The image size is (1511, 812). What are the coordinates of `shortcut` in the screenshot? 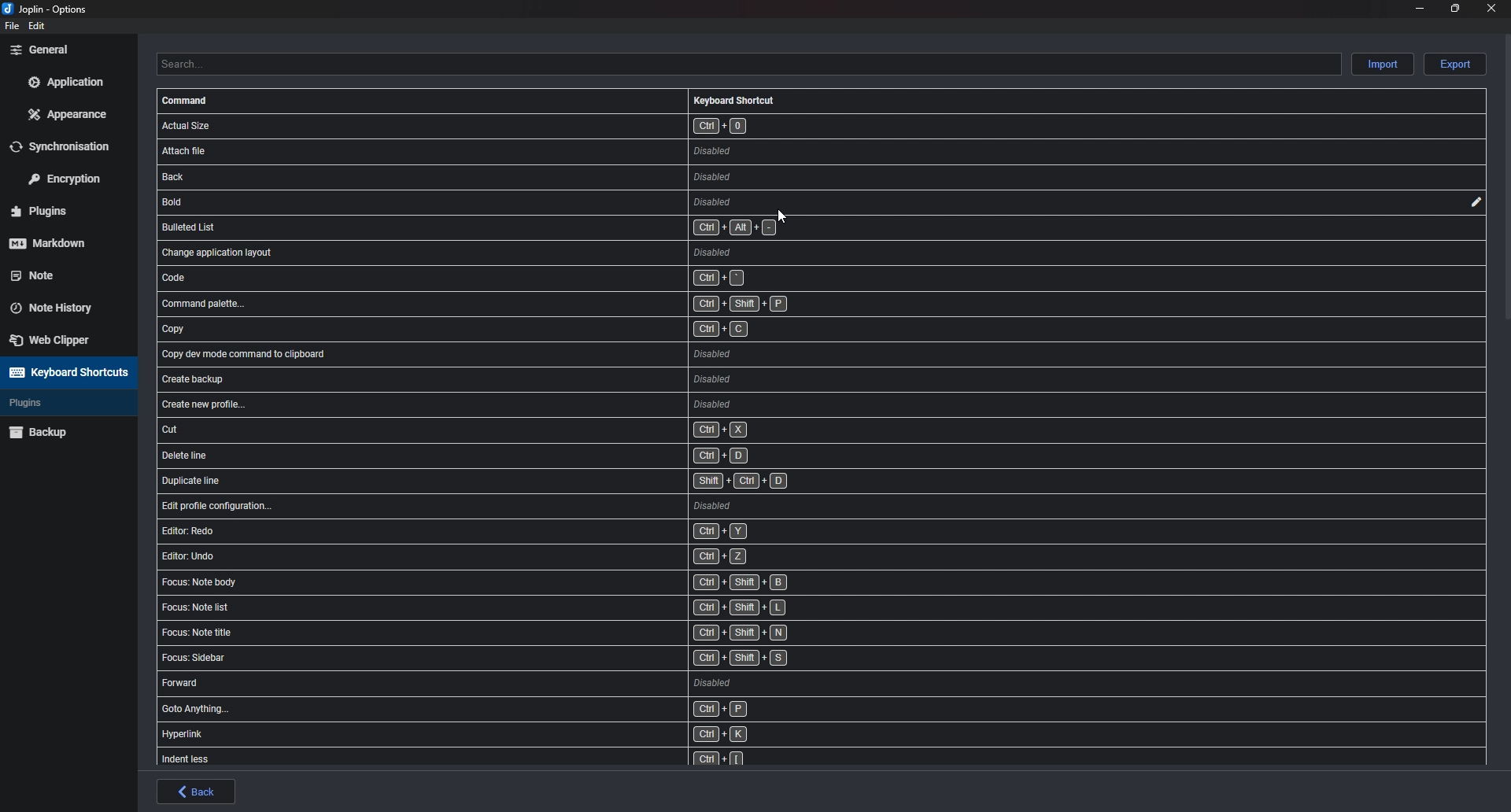 It's located at (537, 403).